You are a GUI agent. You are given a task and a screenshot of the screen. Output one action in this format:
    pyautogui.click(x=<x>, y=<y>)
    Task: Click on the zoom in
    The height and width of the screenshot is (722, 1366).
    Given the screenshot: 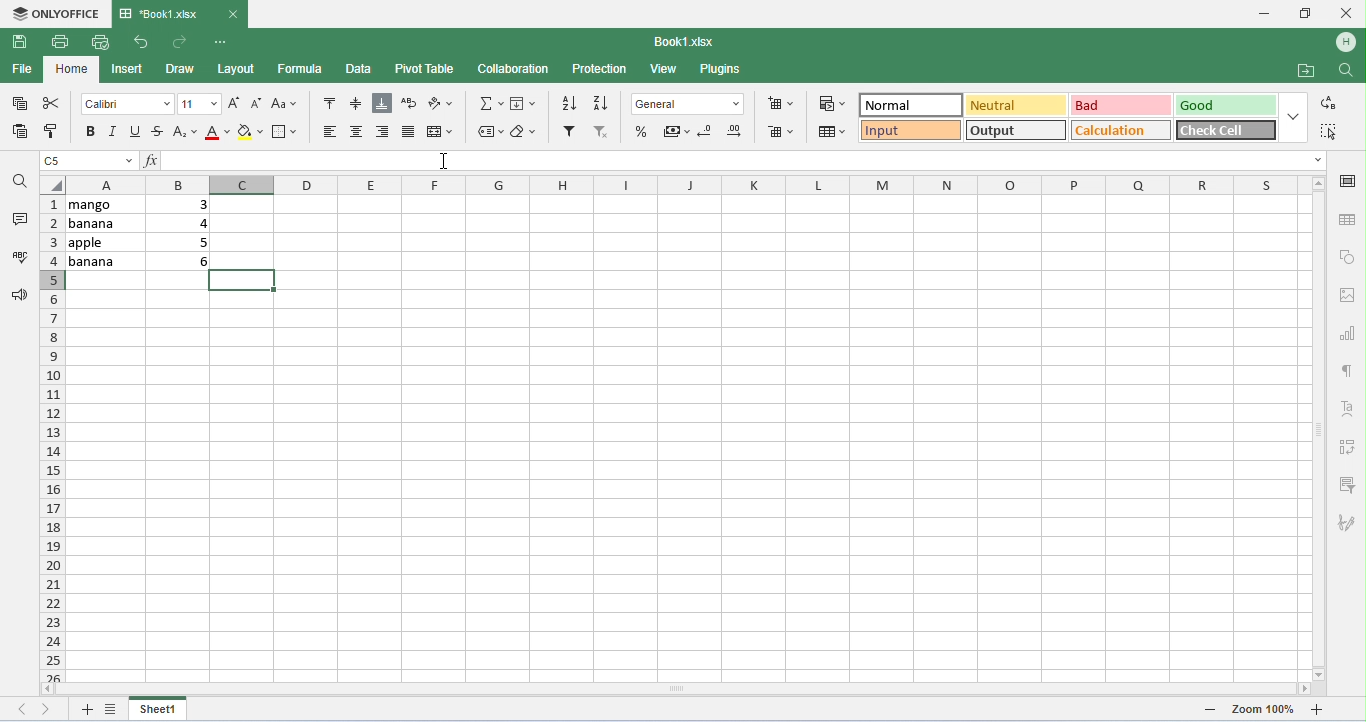 What is the action you would take?
    pyautogui.click(x=1212, y=710)
    